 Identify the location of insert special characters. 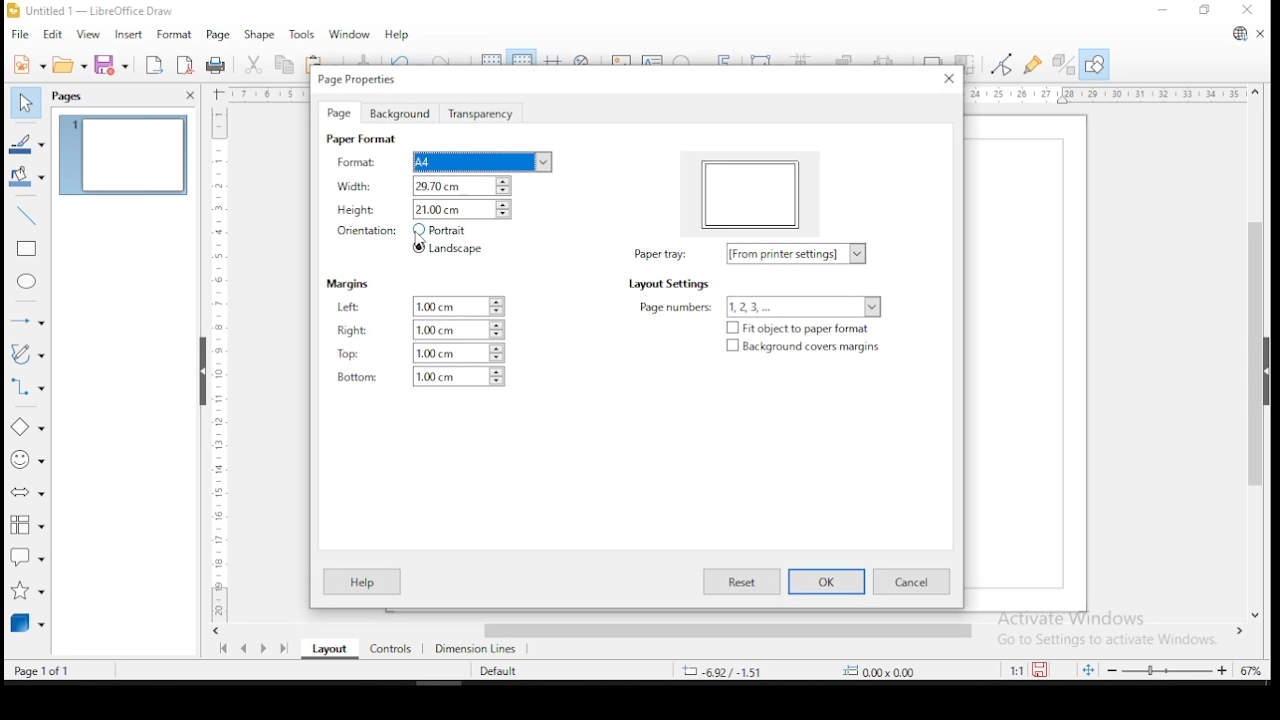
(688, 59).